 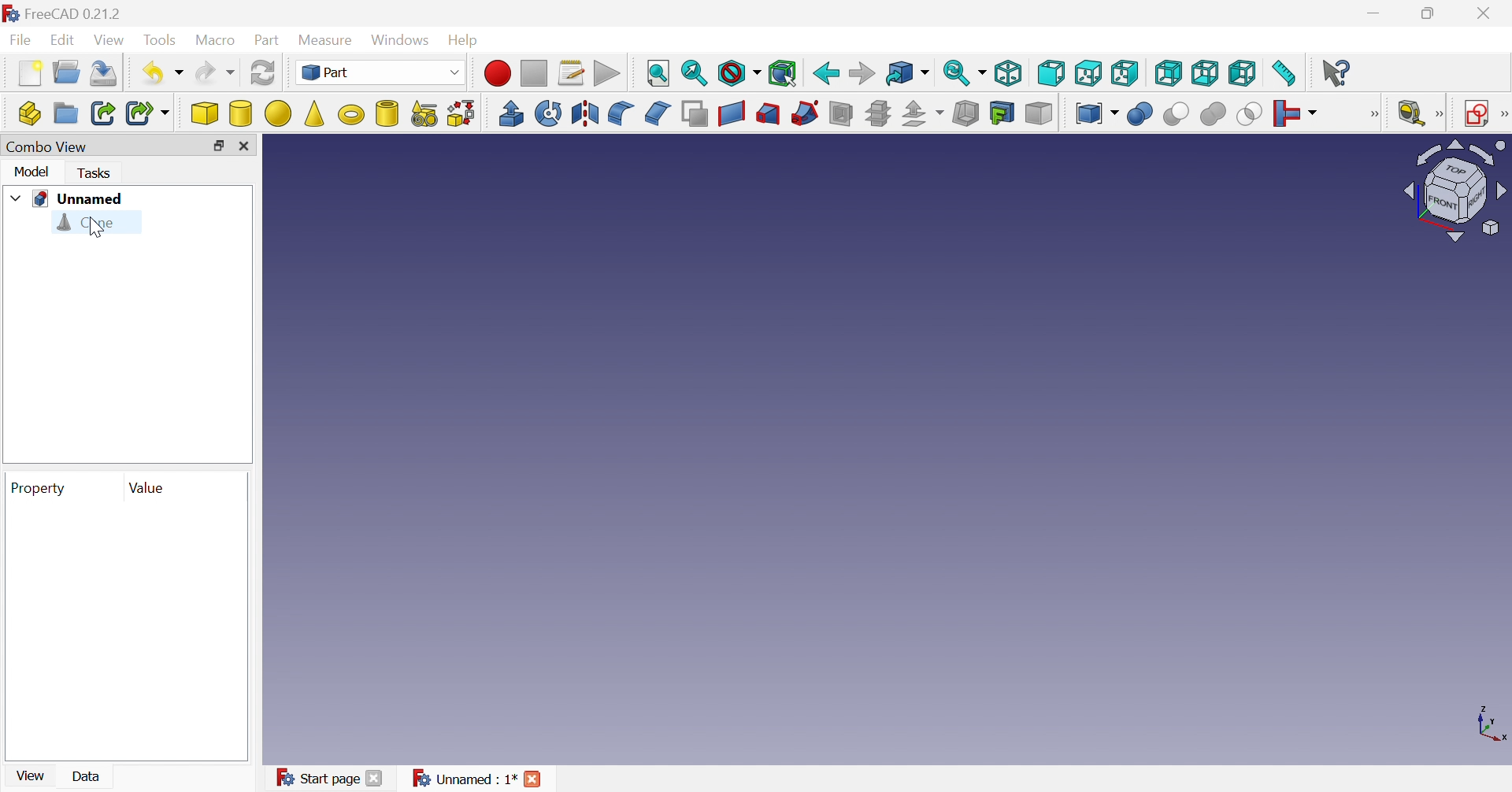 I want to click on Edit, so click(x=63, y=41).